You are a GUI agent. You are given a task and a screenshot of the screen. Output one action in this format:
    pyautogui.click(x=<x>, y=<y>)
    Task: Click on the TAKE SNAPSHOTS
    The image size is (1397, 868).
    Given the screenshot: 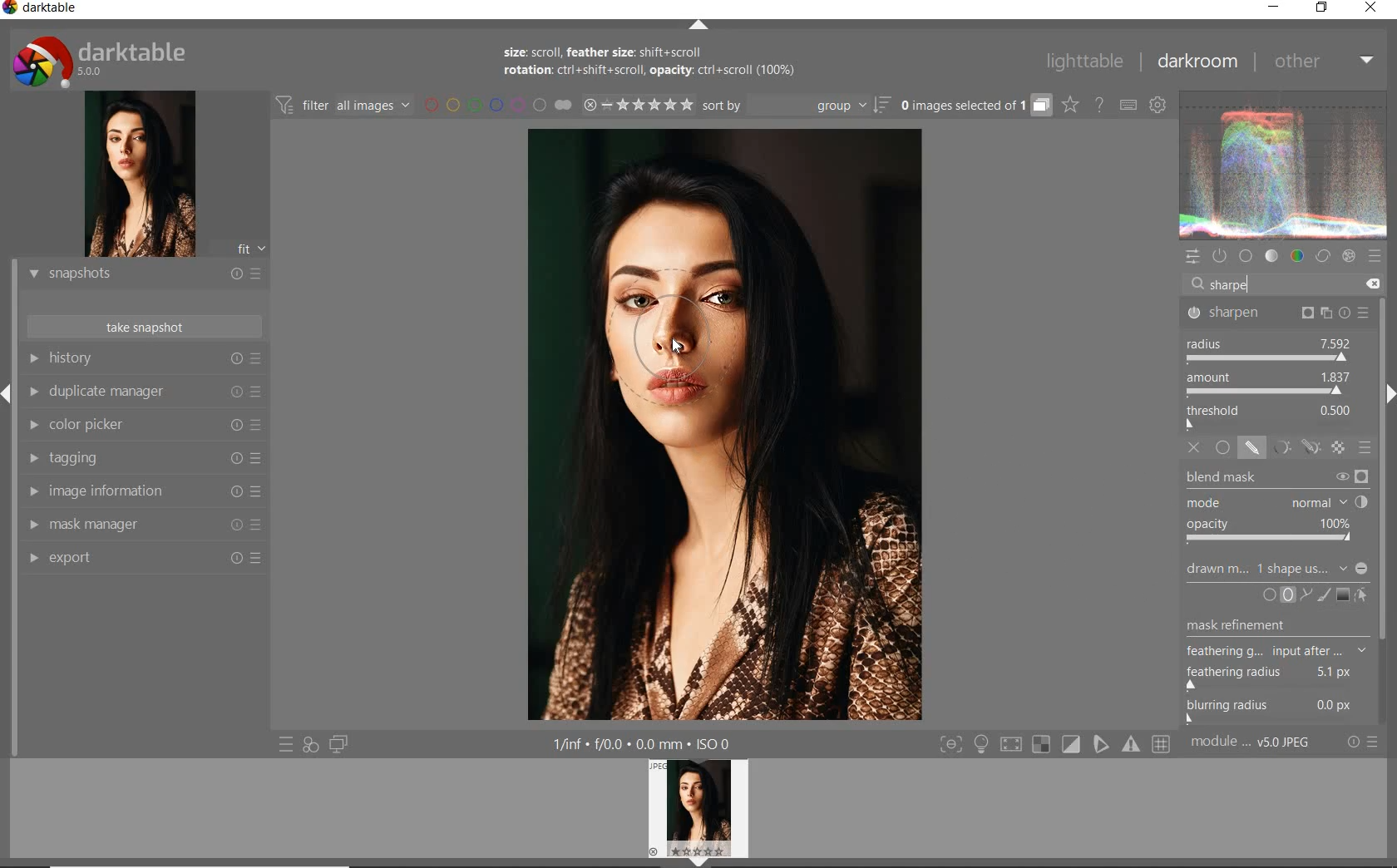 What is the action you would take?
    pyautogui.click(x=146, y=326)
    